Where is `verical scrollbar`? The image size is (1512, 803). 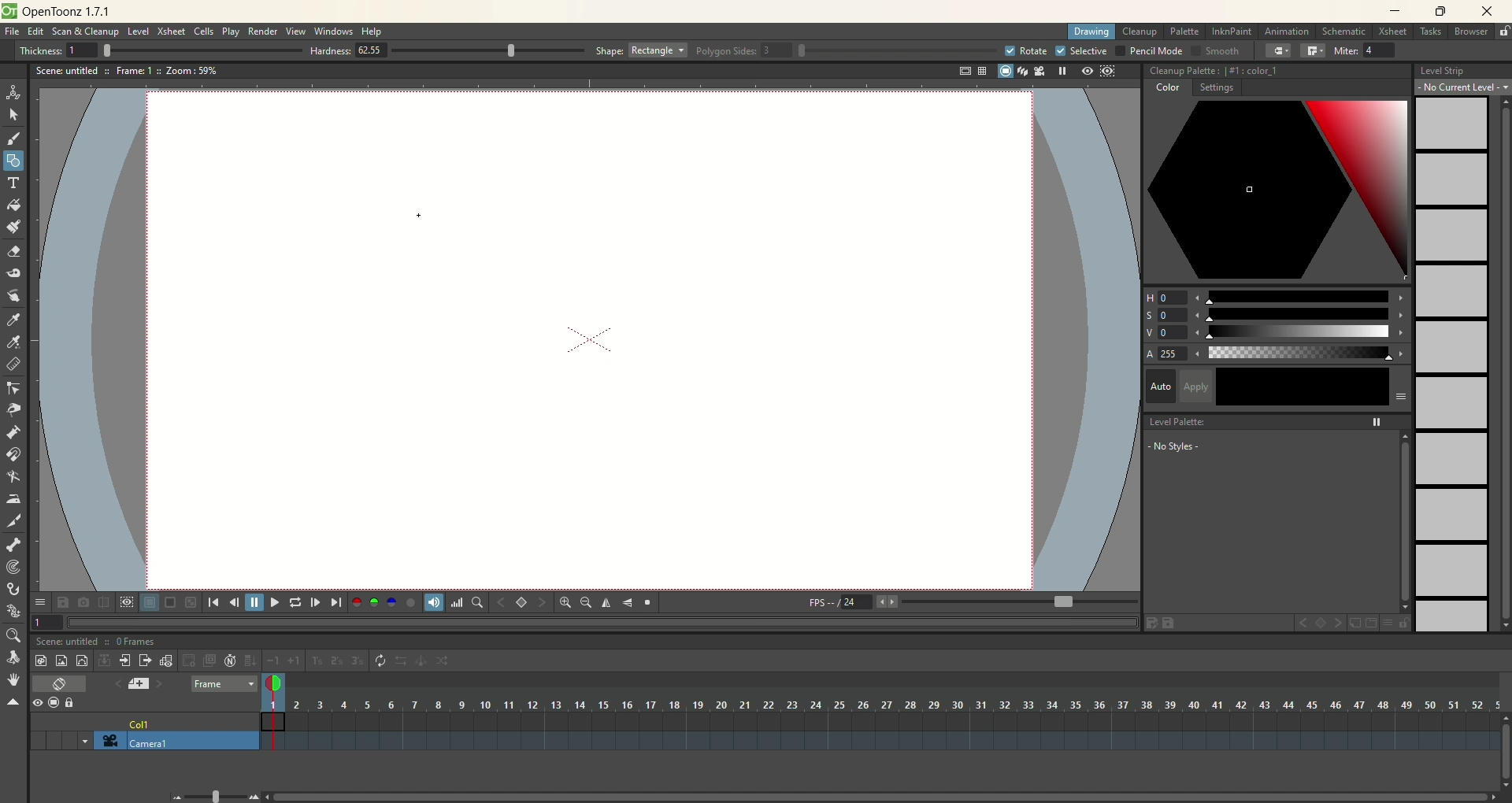 verical scrollbar is located at coordinates (1403, 521).